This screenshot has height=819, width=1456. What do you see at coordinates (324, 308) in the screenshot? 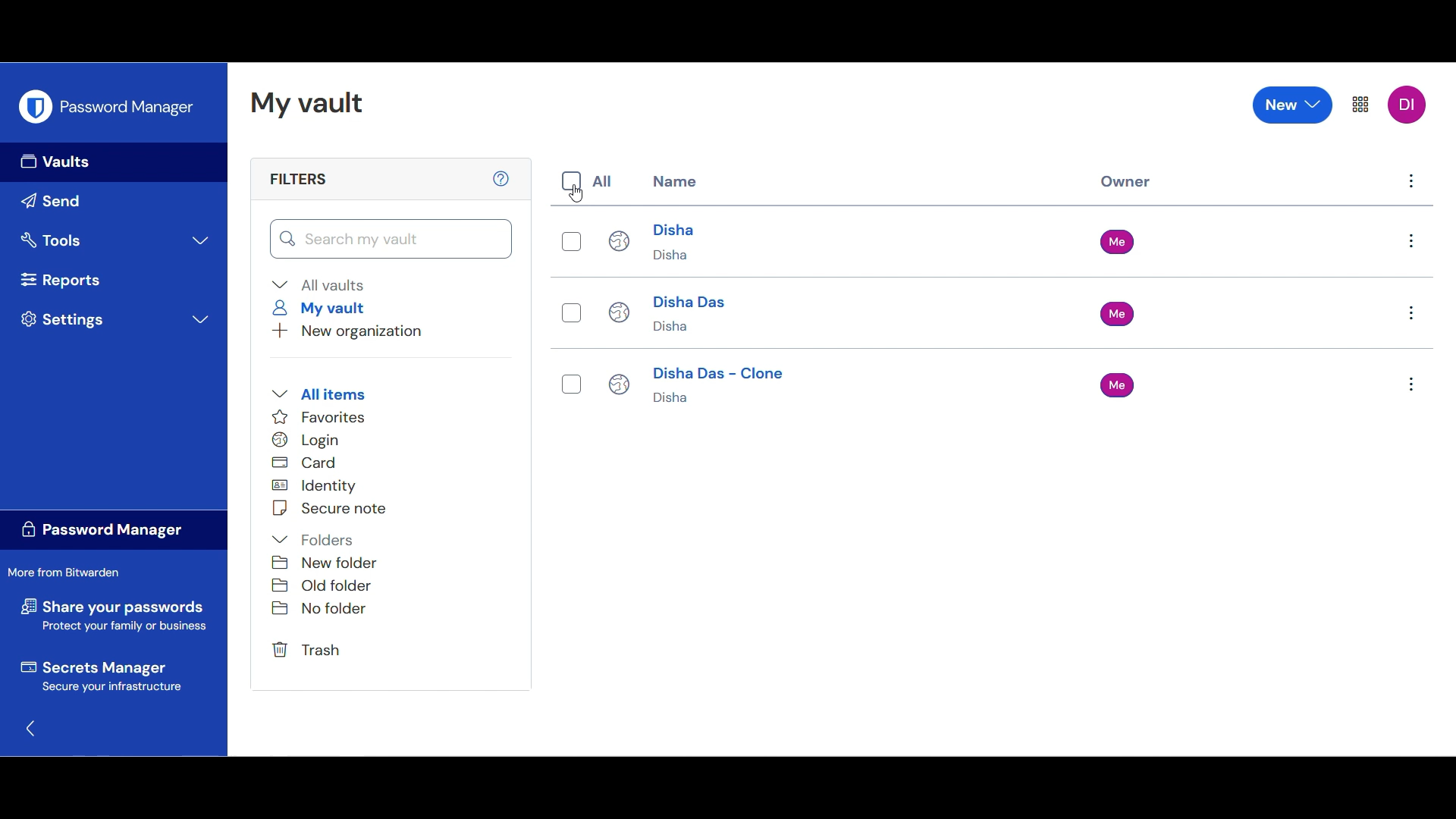
I see `My vault` at bounding box center [324, 308].